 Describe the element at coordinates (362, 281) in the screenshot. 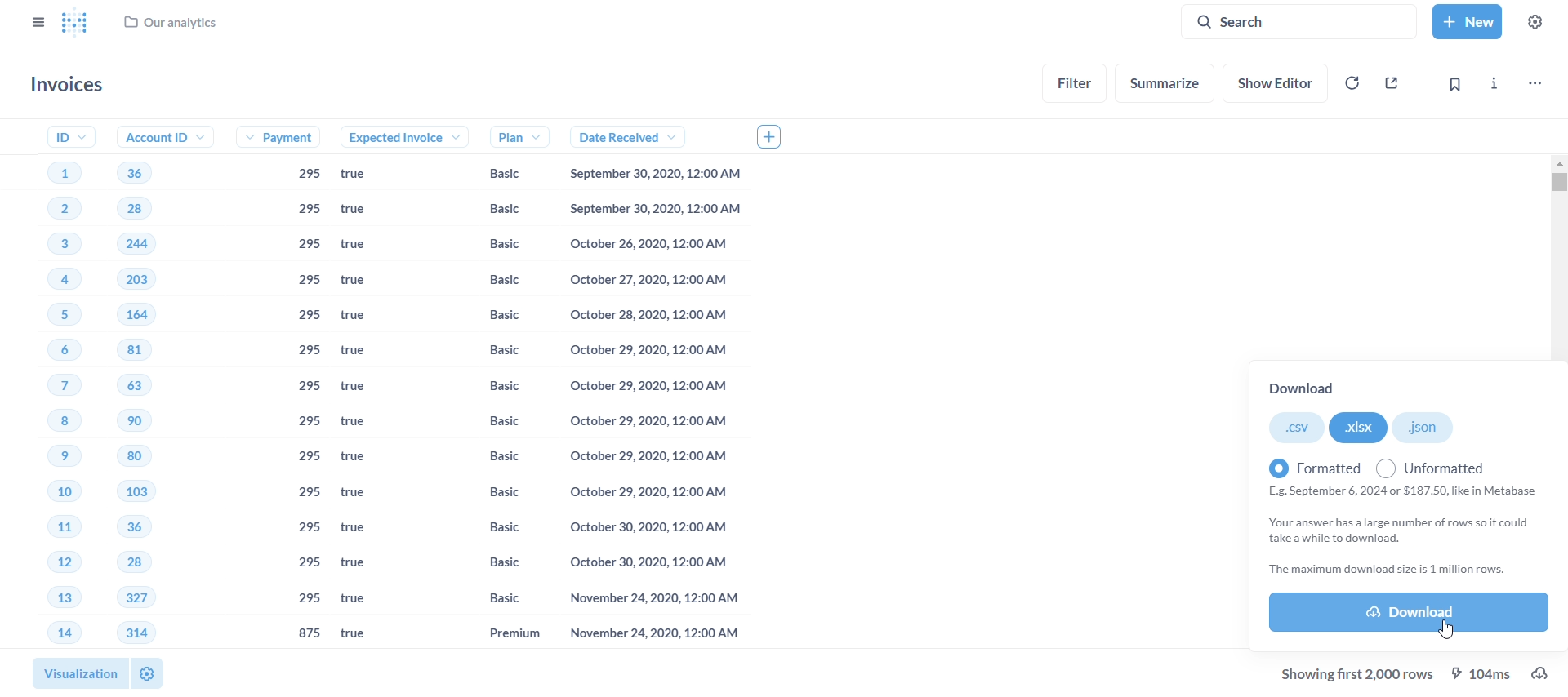

I see `true` at that location.